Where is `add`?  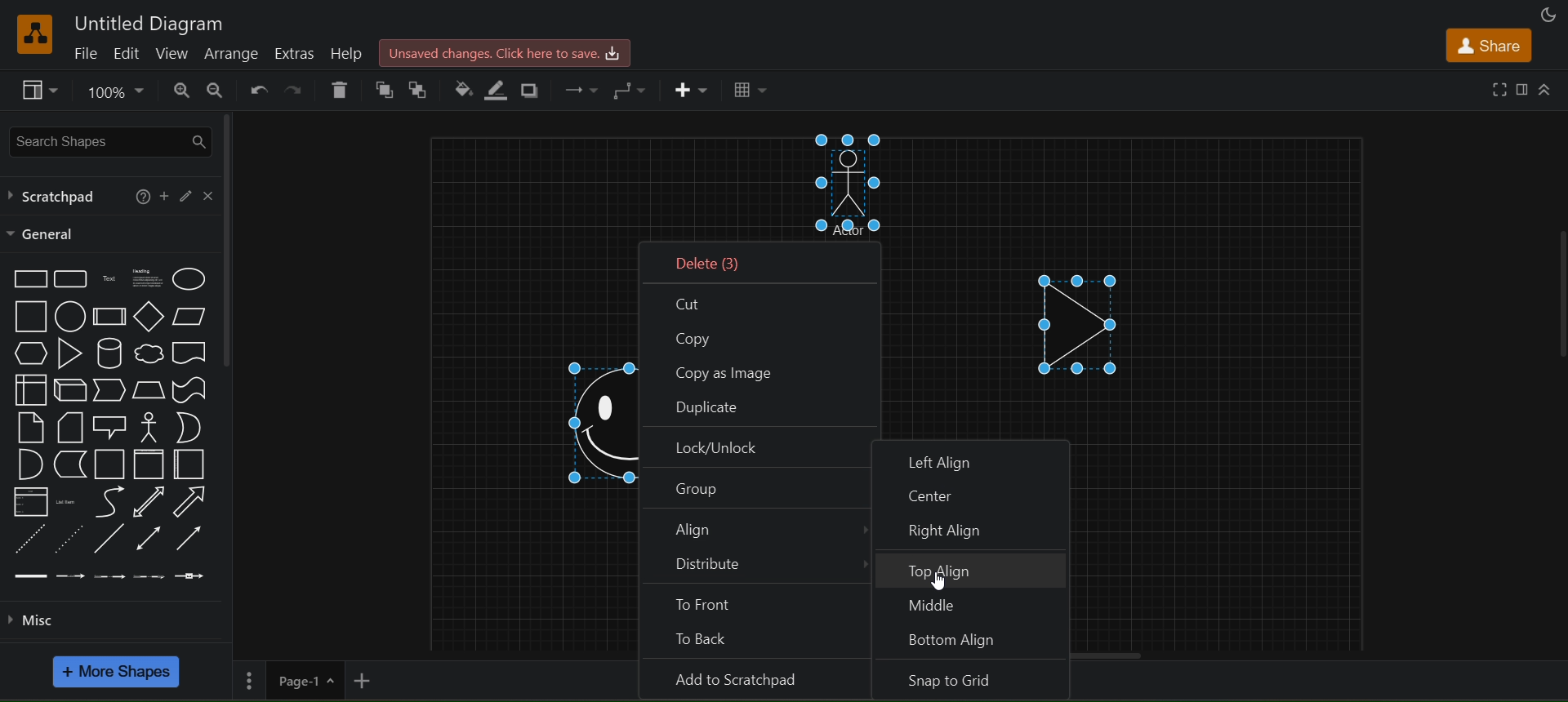
add is located at coordinates (164, 195).